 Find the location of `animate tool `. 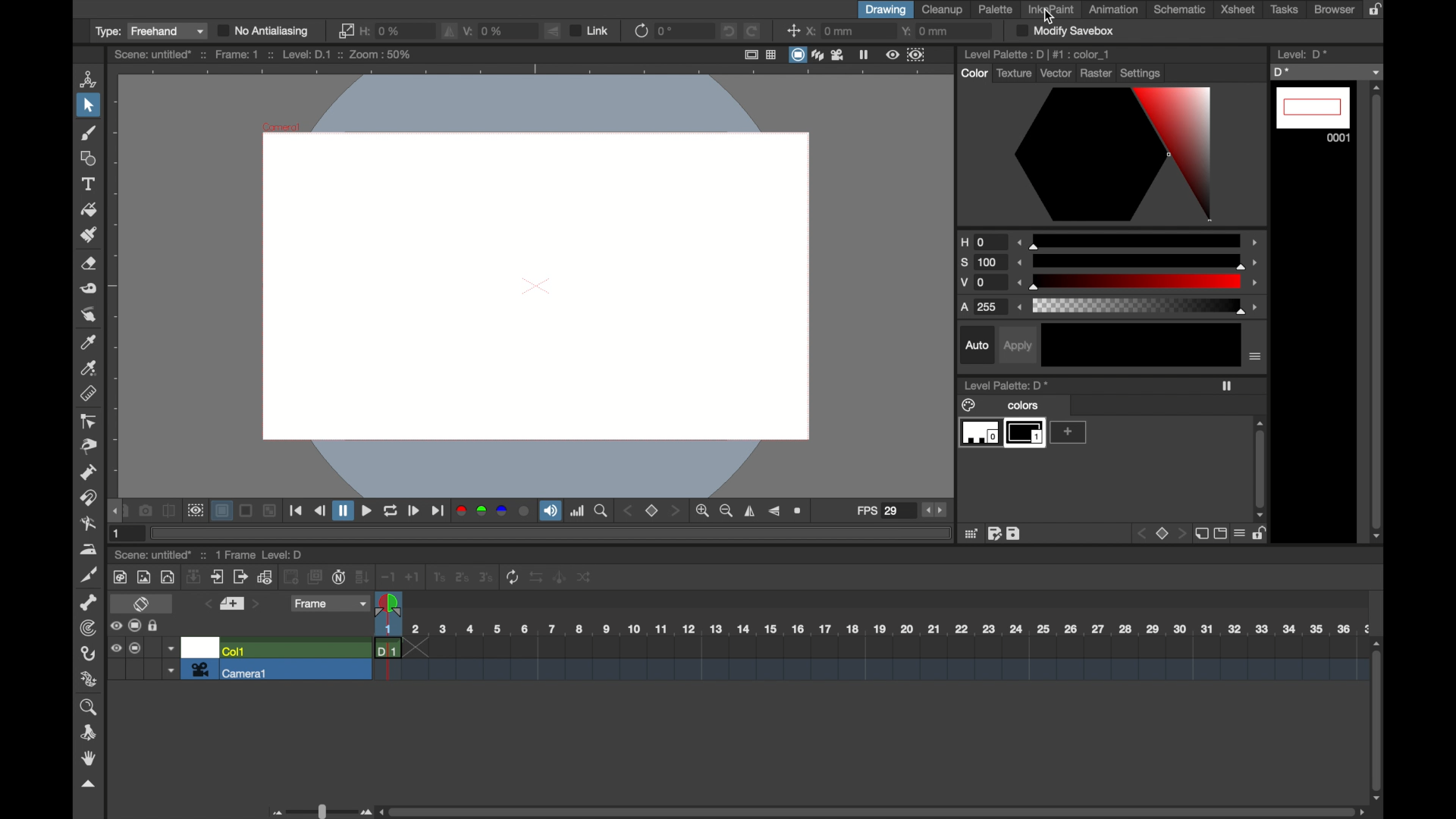

animate tool  is located at coordinates (86, 79).